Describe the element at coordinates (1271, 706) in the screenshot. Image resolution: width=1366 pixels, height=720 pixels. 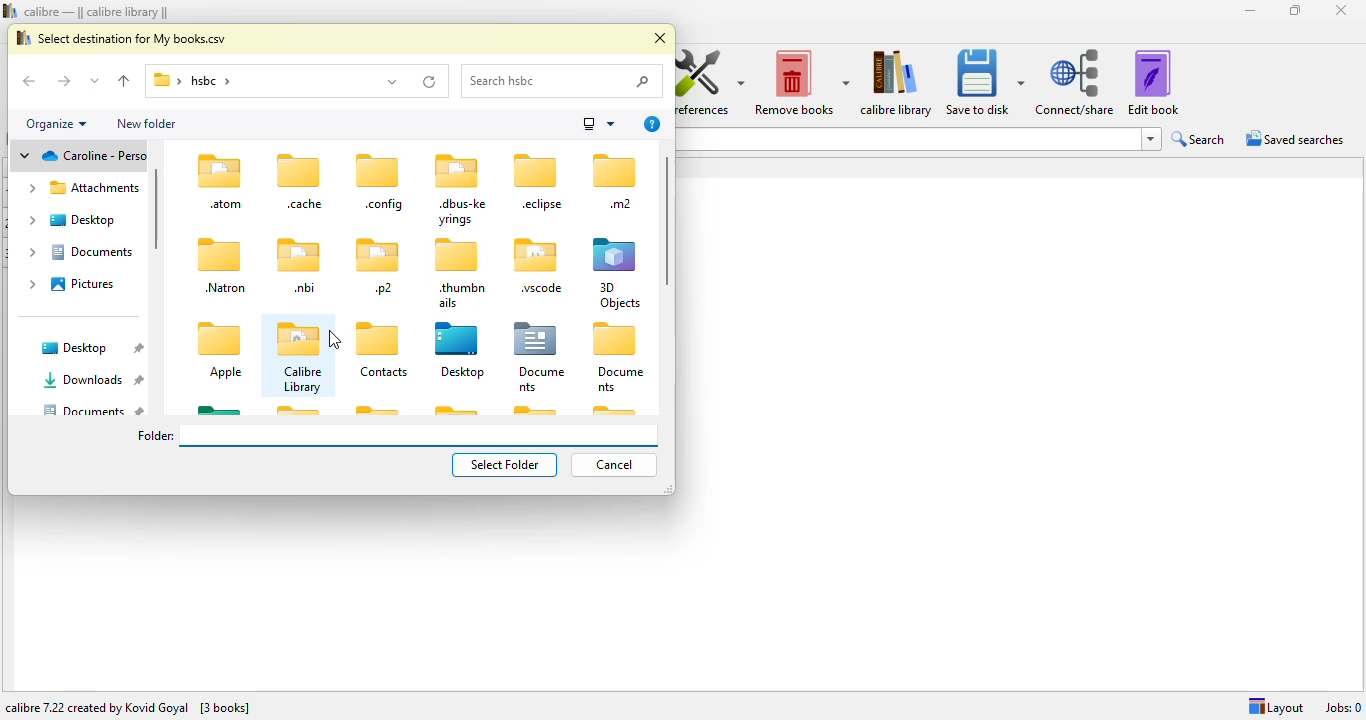
I see `Layout` at that location.